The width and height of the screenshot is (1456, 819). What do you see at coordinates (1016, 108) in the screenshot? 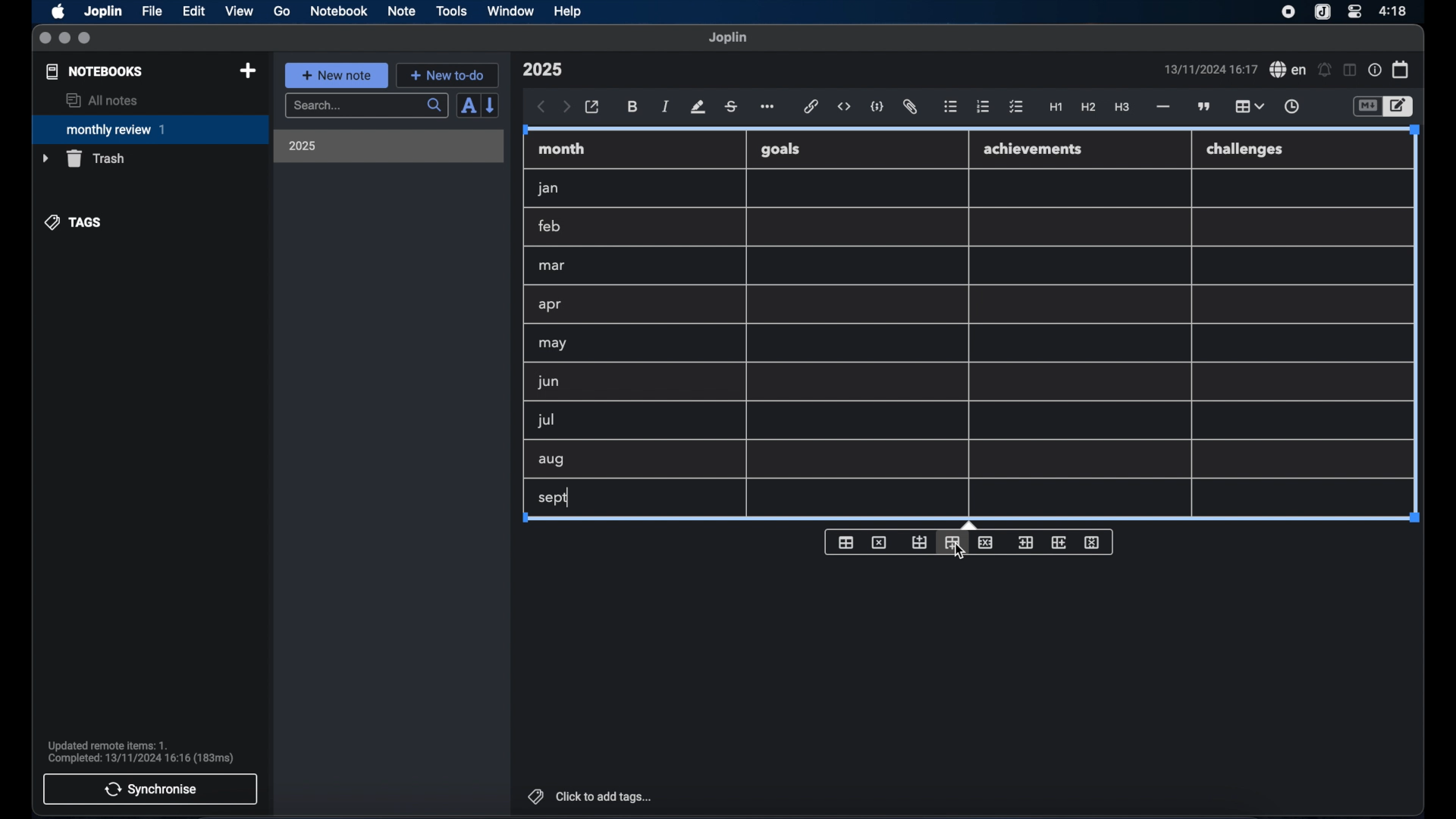
I see `check  list` at bounding box center [1016, 108].